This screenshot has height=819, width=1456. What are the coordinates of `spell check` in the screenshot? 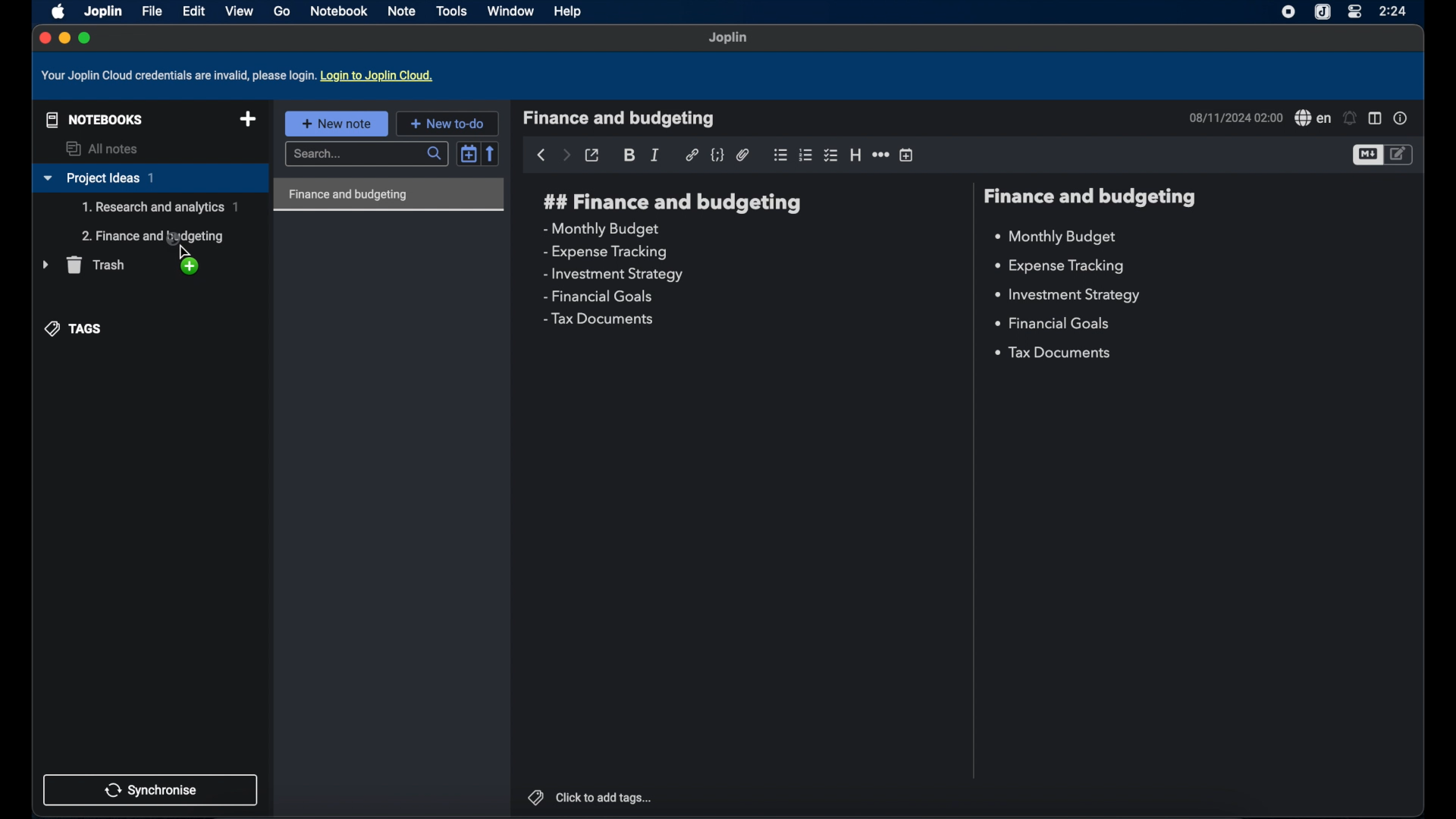 It's located at (1312, 118).